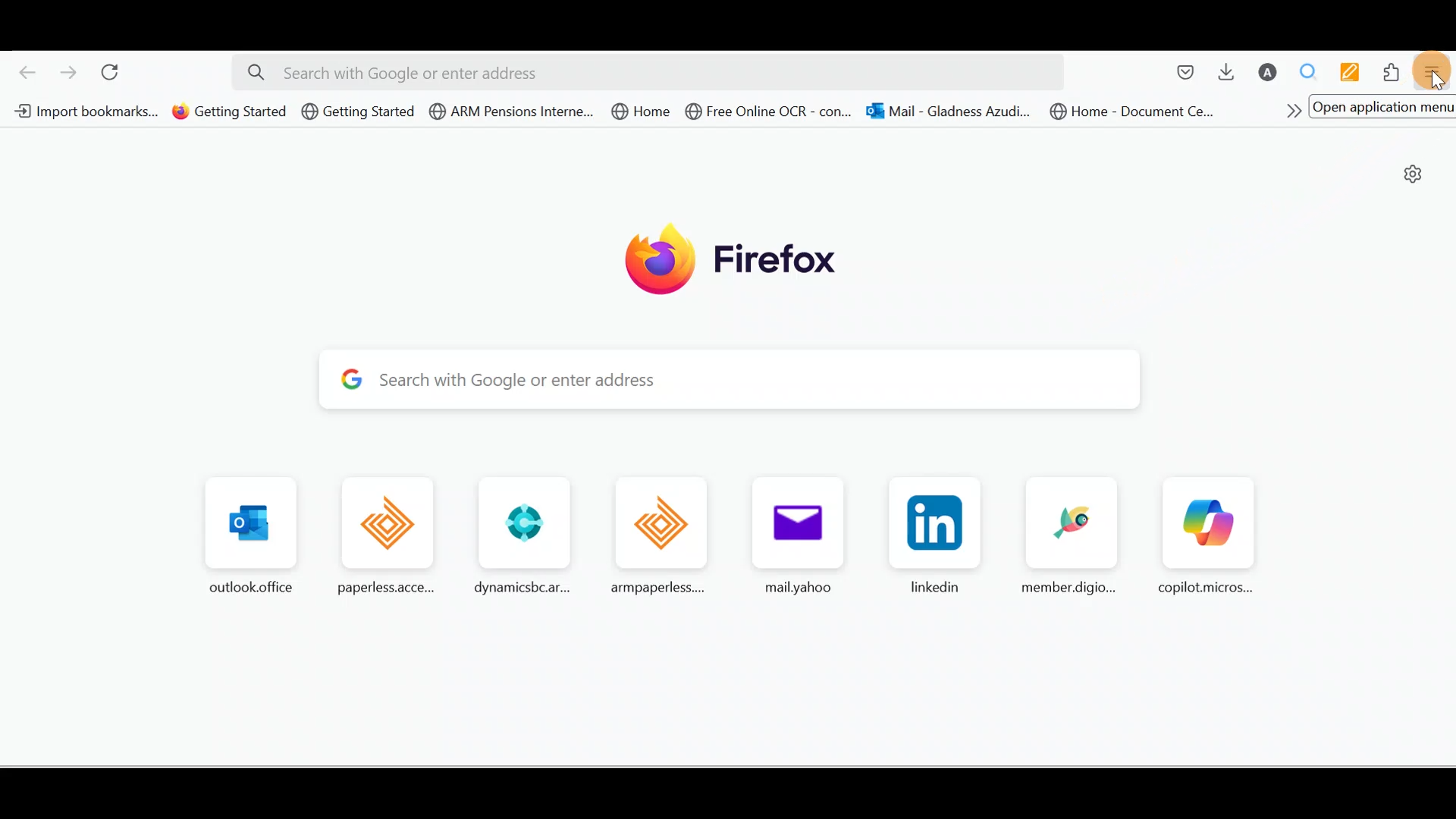 Image resolution: width=1456 pixels, height=819 pixels. What do you see at coordinates (947, 113) in the screenshot?
I see `Bookmark 7` at bounding box center [947, 113].